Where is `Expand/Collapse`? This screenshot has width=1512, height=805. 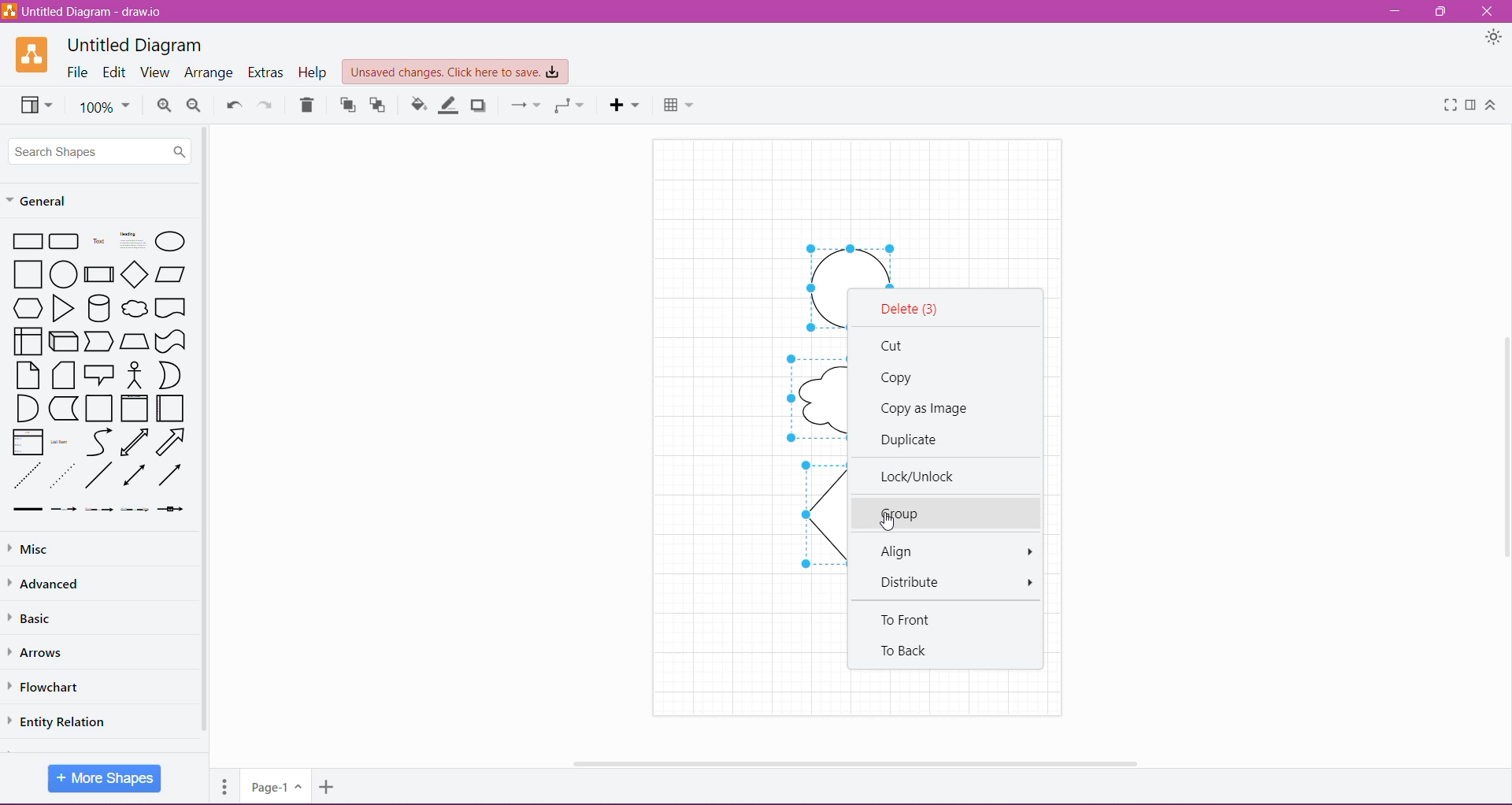
Expand/Collapse is located at coordinates (1491, 106).